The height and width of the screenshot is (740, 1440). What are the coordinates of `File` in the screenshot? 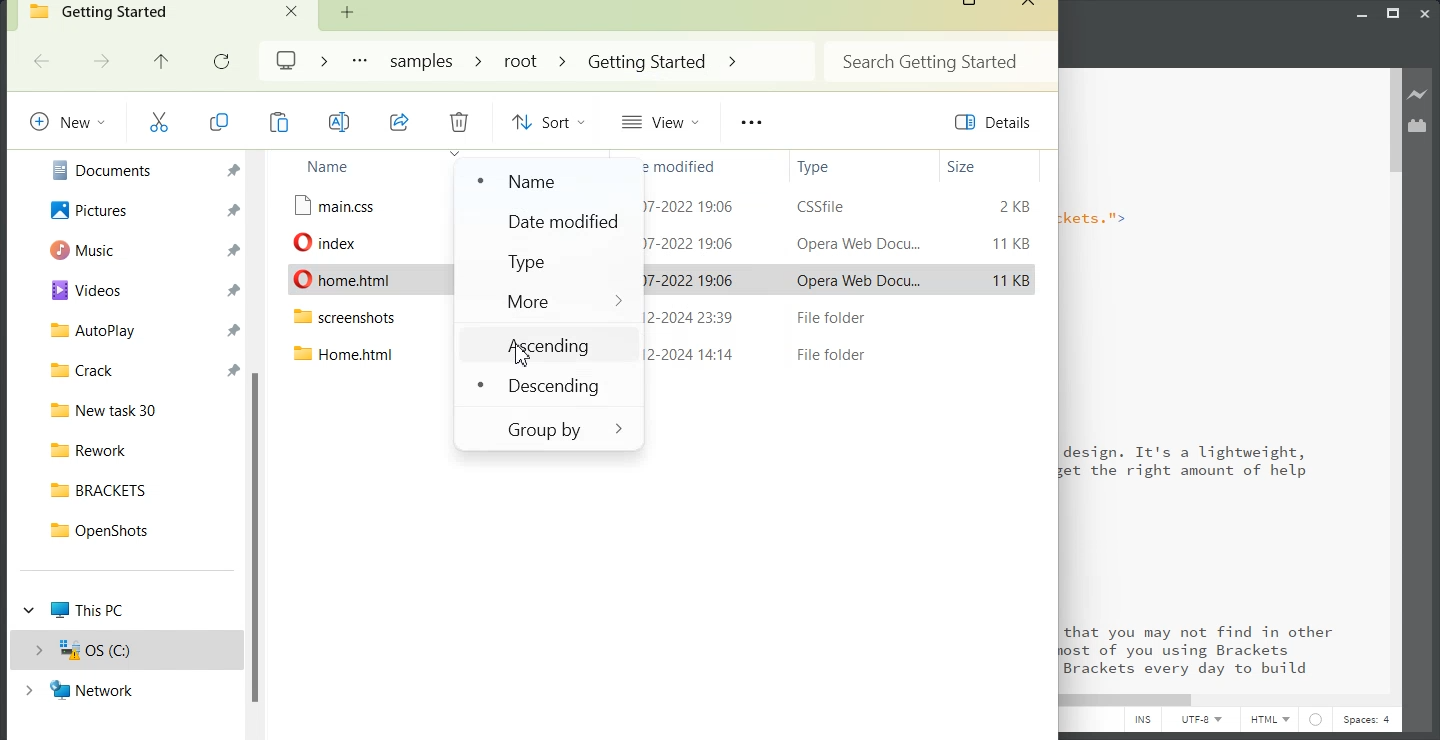 It's located at (349, 241).